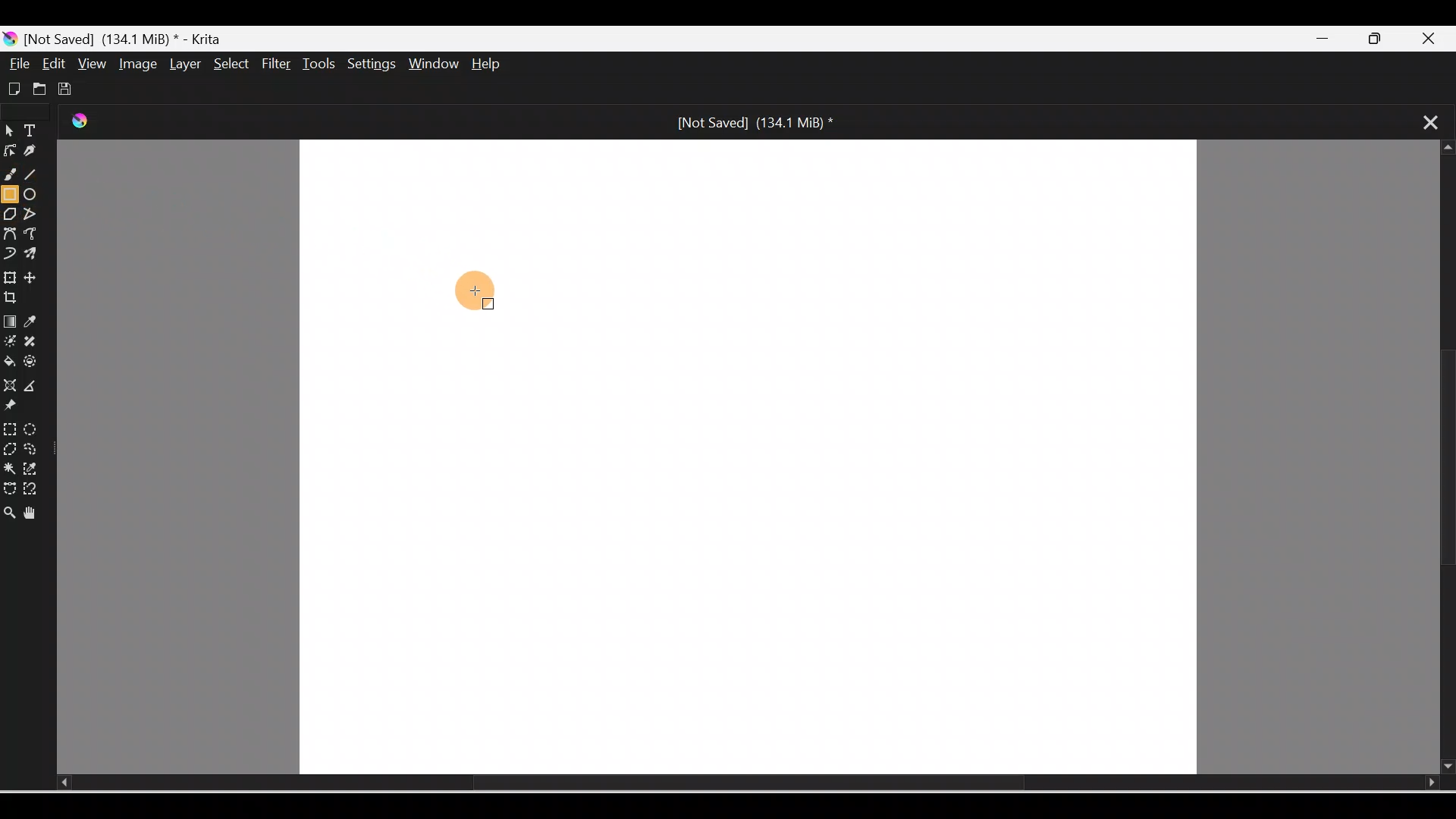  Describe the element at coordinates (322, 64) in the screenshot. I see `Tools` at that location.